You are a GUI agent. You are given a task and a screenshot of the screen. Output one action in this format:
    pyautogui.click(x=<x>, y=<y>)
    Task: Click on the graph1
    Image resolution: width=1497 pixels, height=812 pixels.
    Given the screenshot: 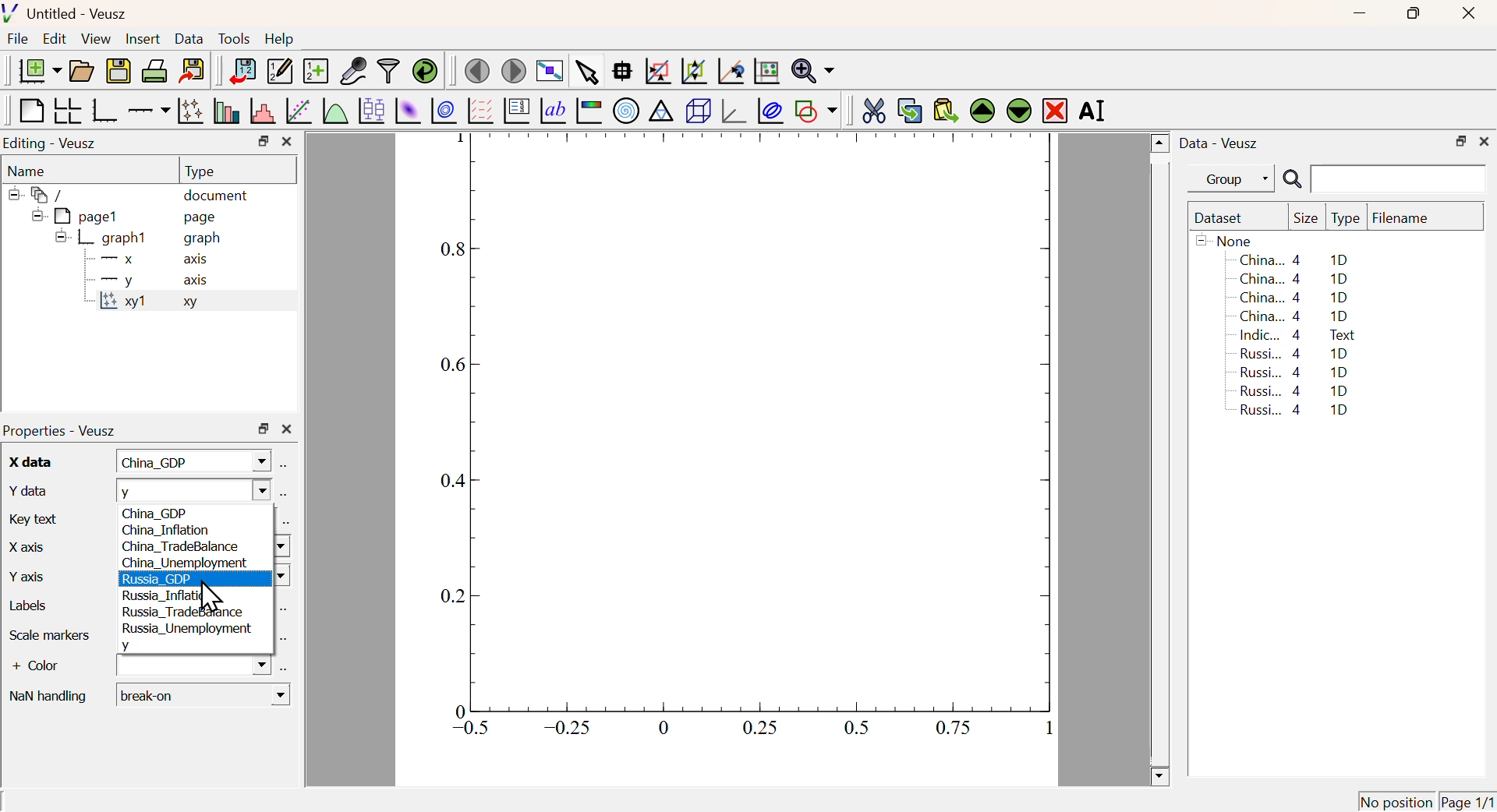 What is the action you would take?
    pyautogui.click(x=103, y=237)
    